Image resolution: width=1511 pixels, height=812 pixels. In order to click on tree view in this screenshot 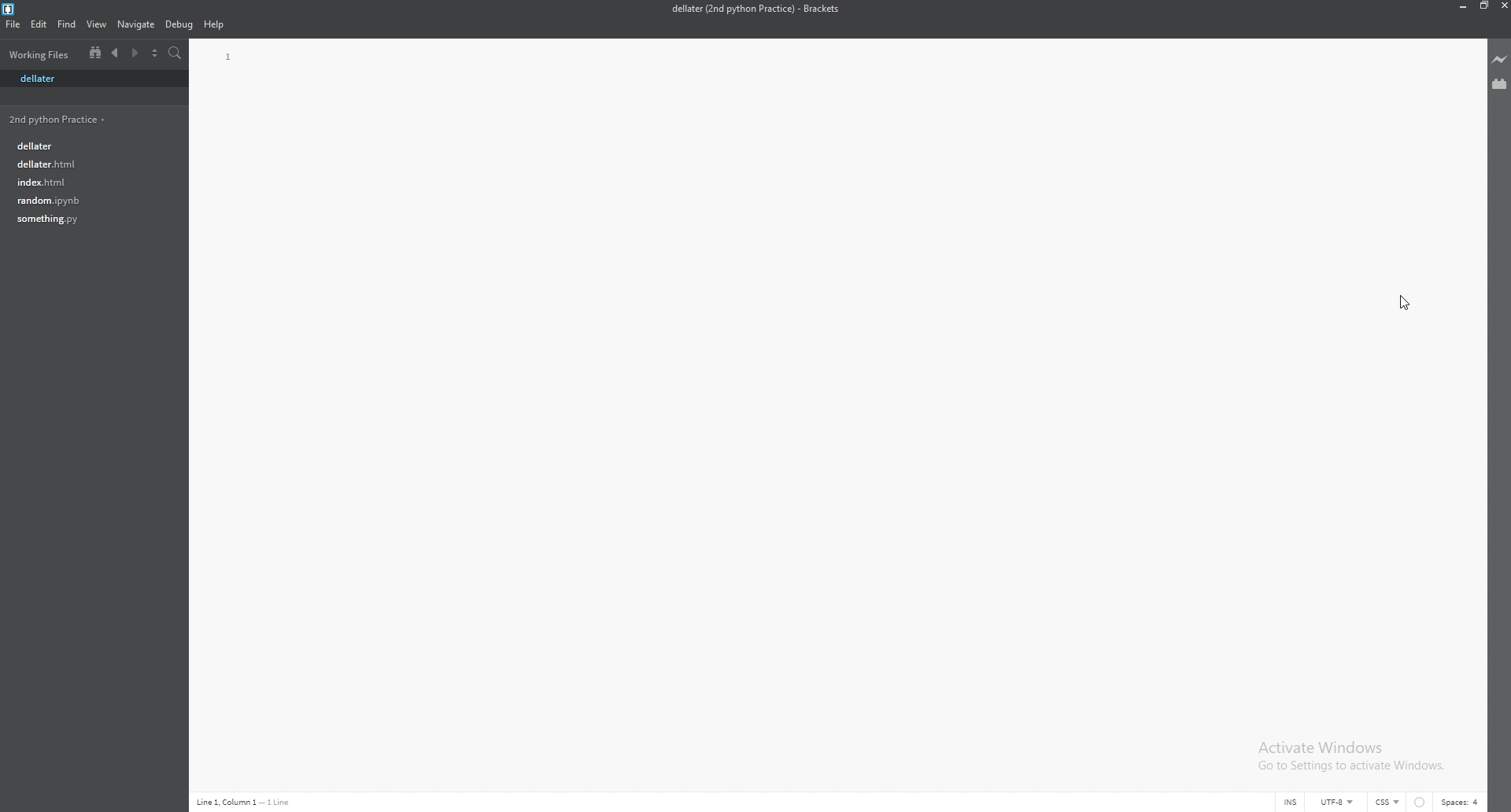, I will do `click(95, 52)`.